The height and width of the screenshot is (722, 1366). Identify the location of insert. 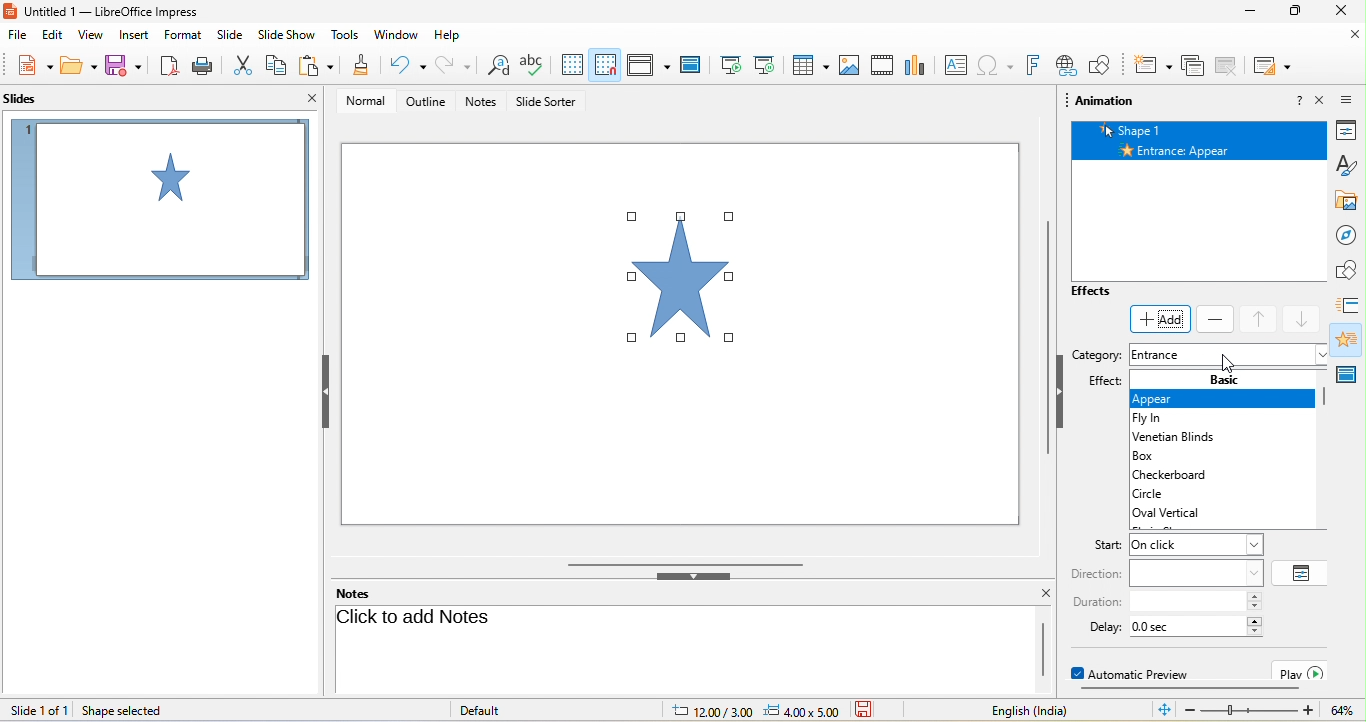
(132, 36).